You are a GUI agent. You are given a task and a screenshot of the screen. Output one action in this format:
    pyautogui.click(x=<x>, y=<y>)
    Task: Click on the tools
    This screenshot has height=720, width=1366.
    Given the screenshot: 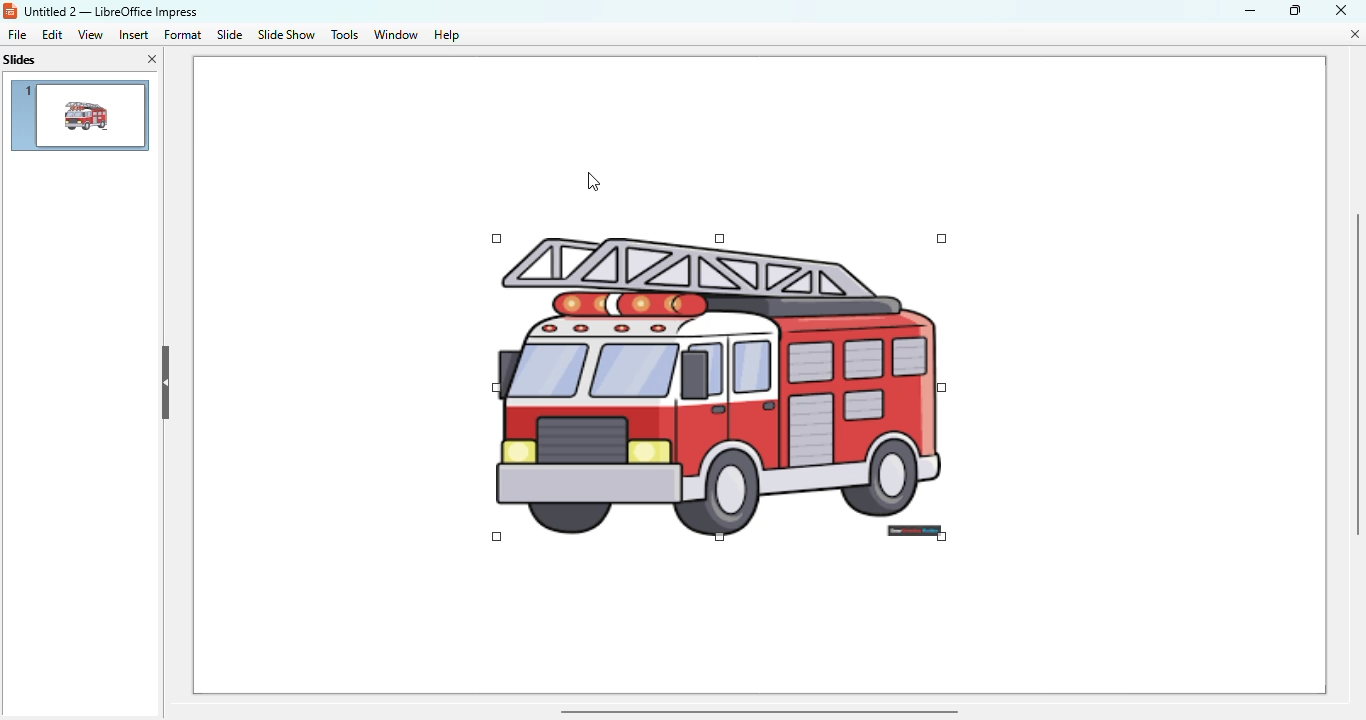 What is the action you would take?
    pyautogui.click(x=344, y=35)
    